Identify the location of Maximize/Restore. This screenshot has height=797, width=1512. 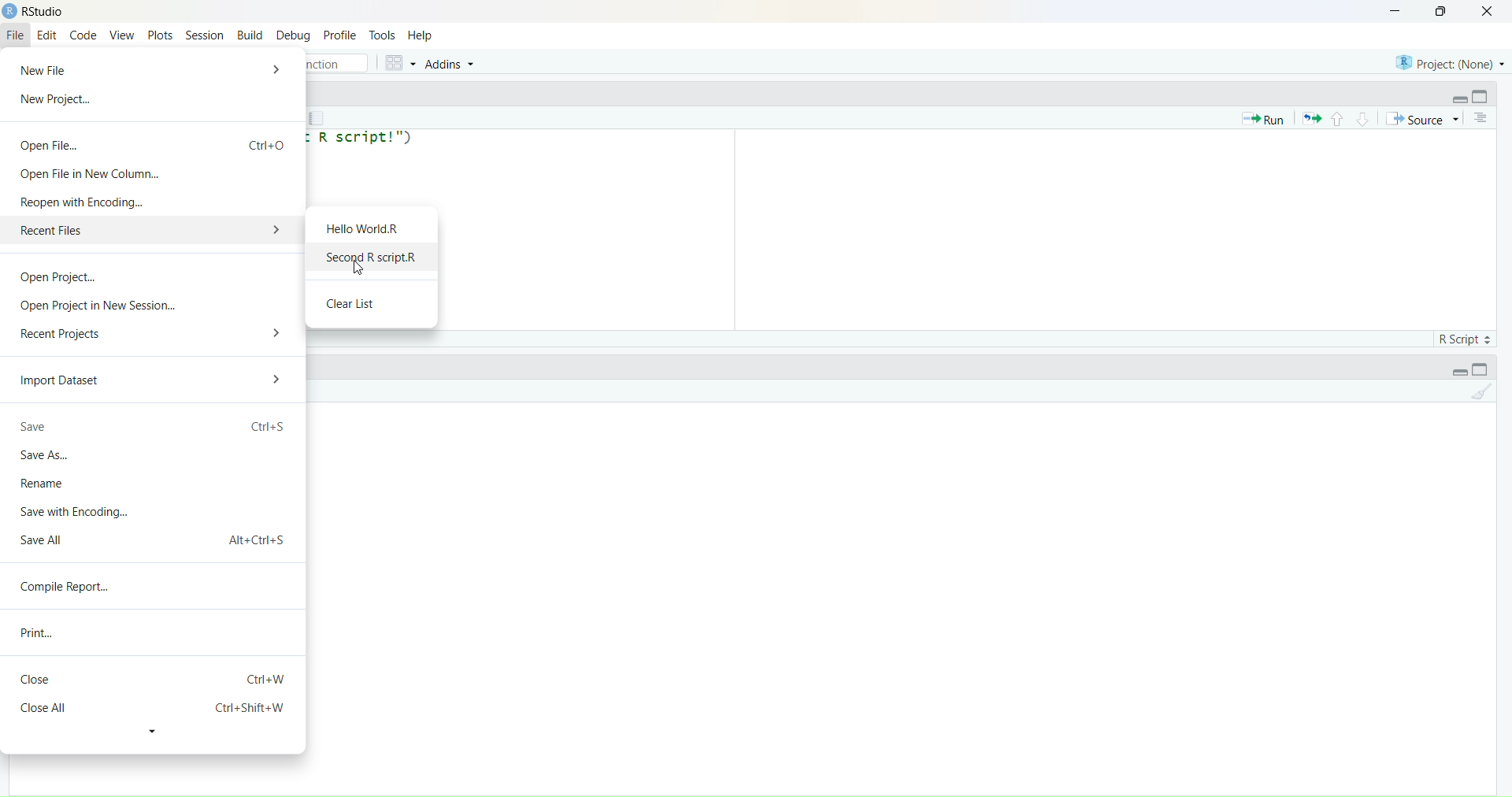
(1483, 96).